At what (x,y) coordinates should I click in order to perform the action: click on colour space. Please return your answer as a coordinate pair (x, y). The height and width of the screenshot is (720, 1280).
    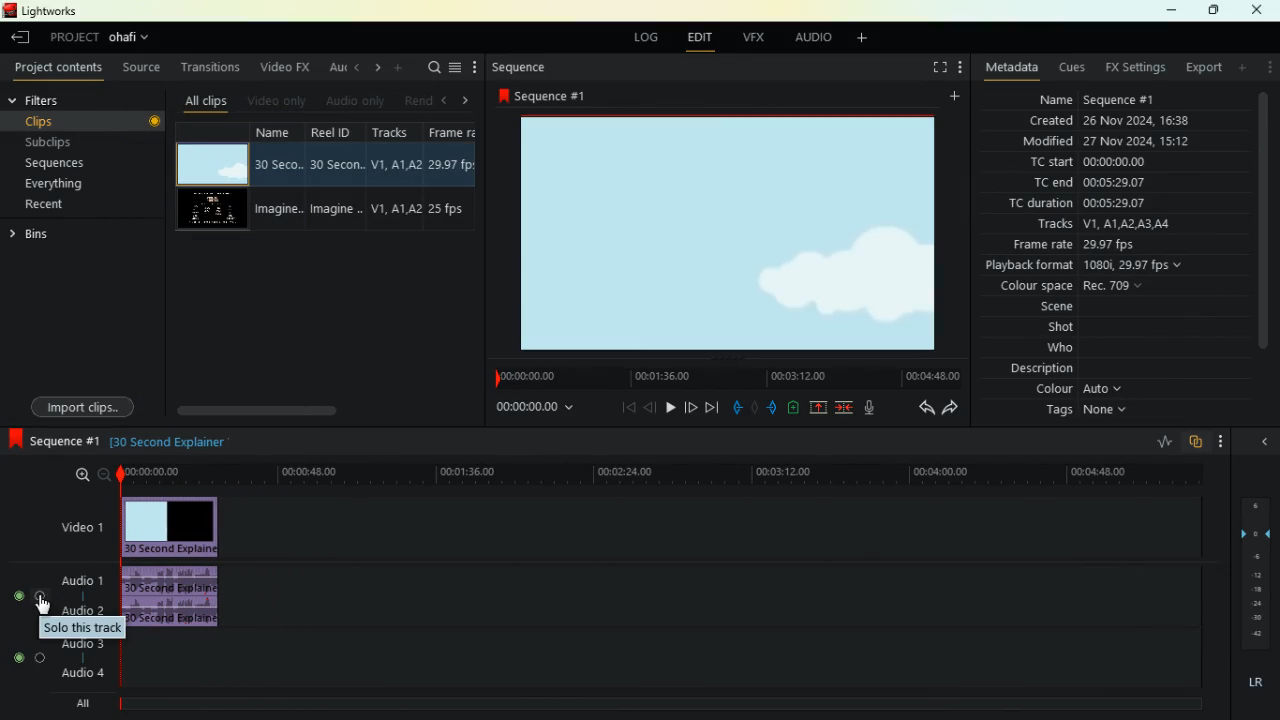
    Looking at the image, I should click on (1074, 286).